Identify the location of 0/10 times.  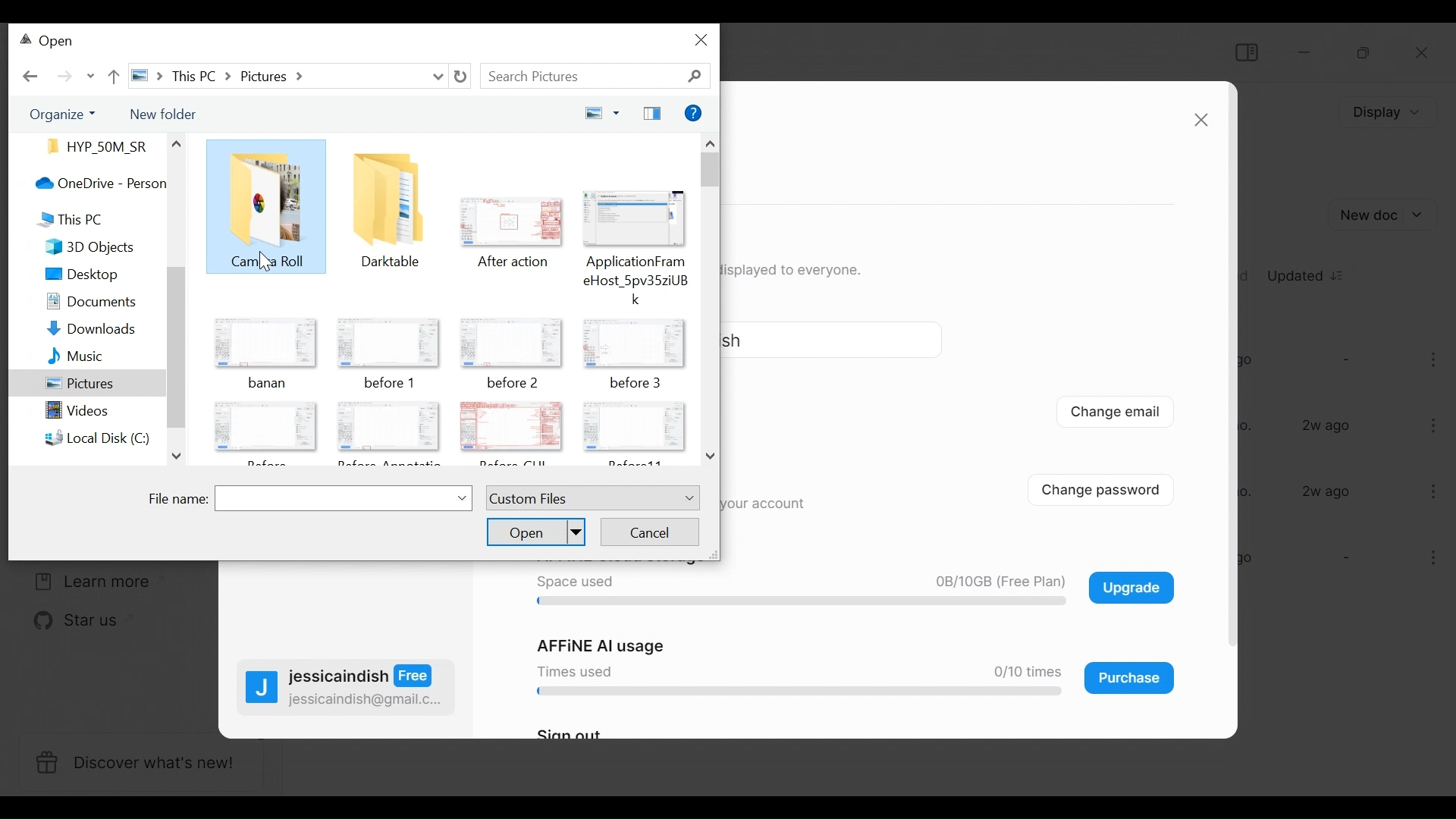
(1021, 672).